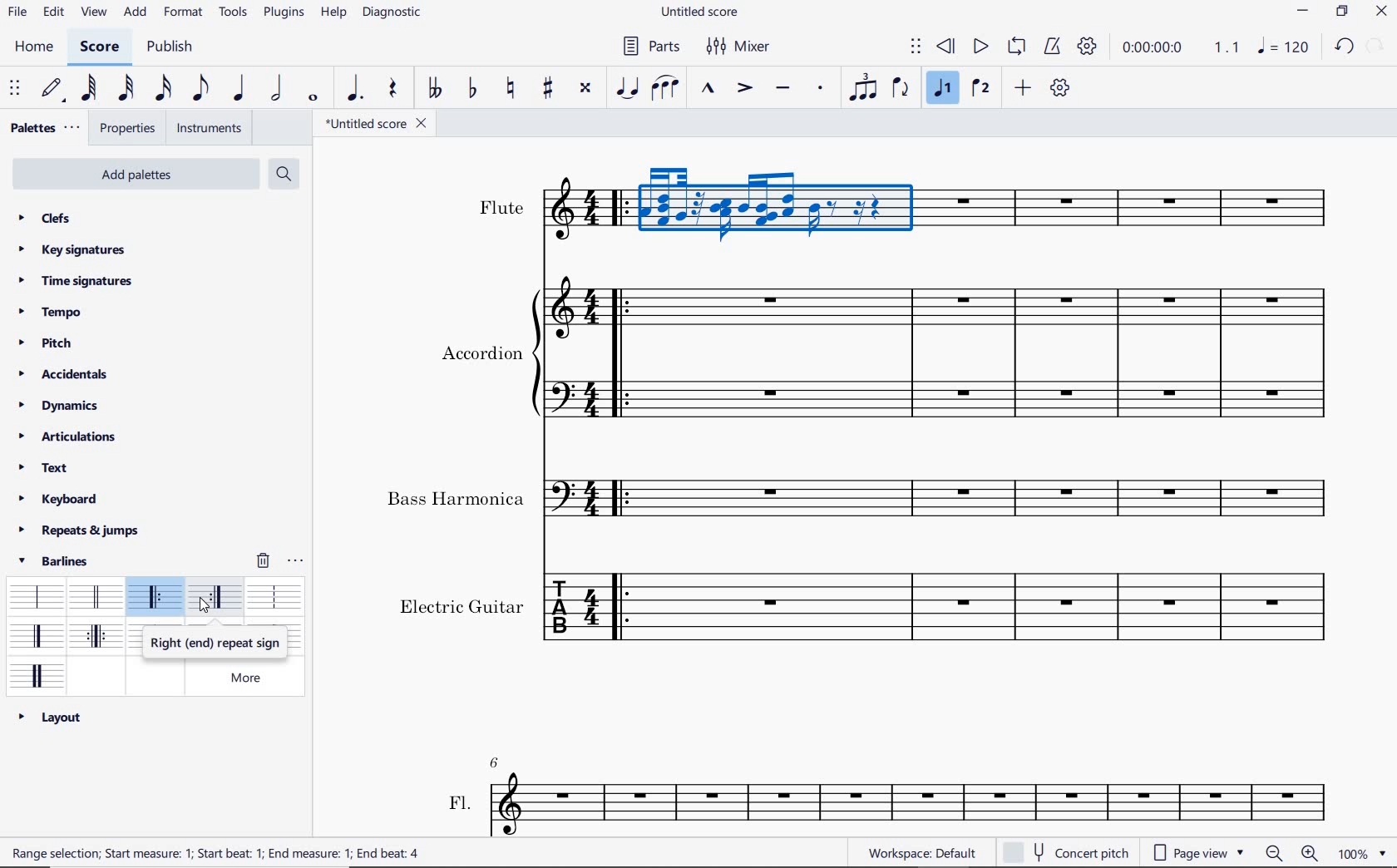  Describe the element at coordinates (574, 494) in the screenshot. I see `Instrument: Bass Harmonica` at that location.